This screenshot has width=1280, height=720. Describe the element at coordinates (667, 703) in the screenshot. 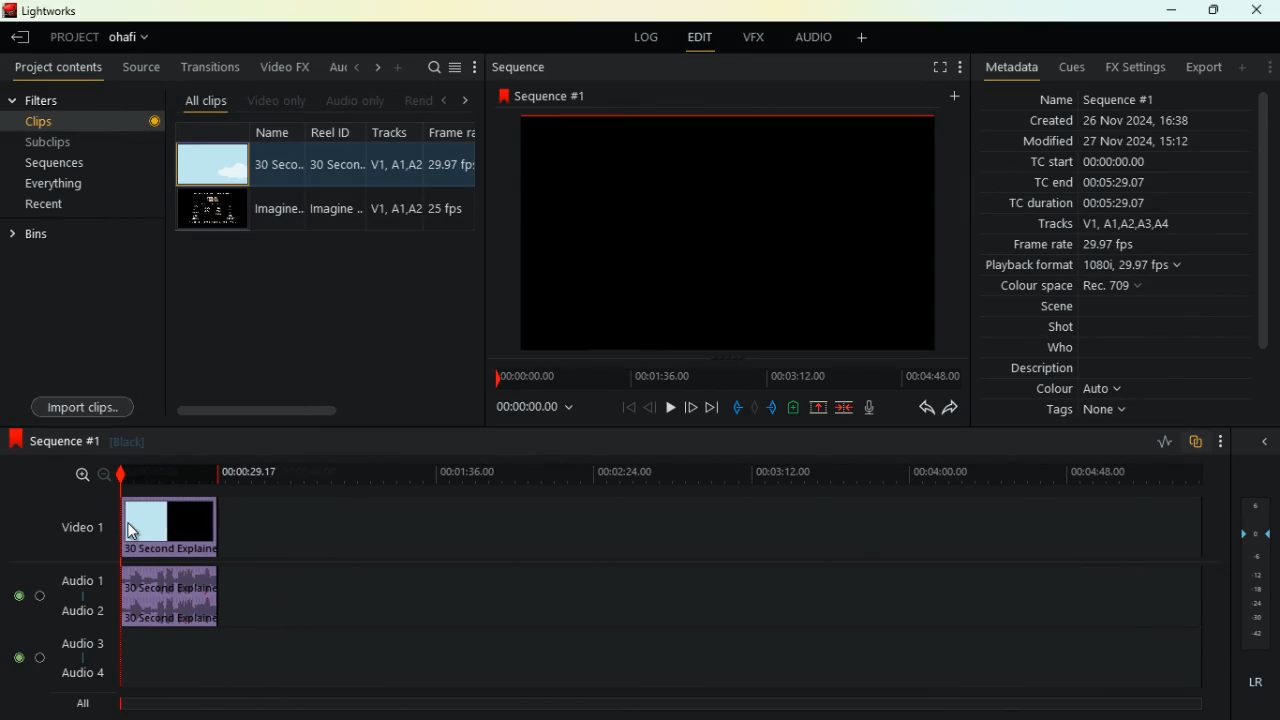

I see `ALL timeline track` at that location.